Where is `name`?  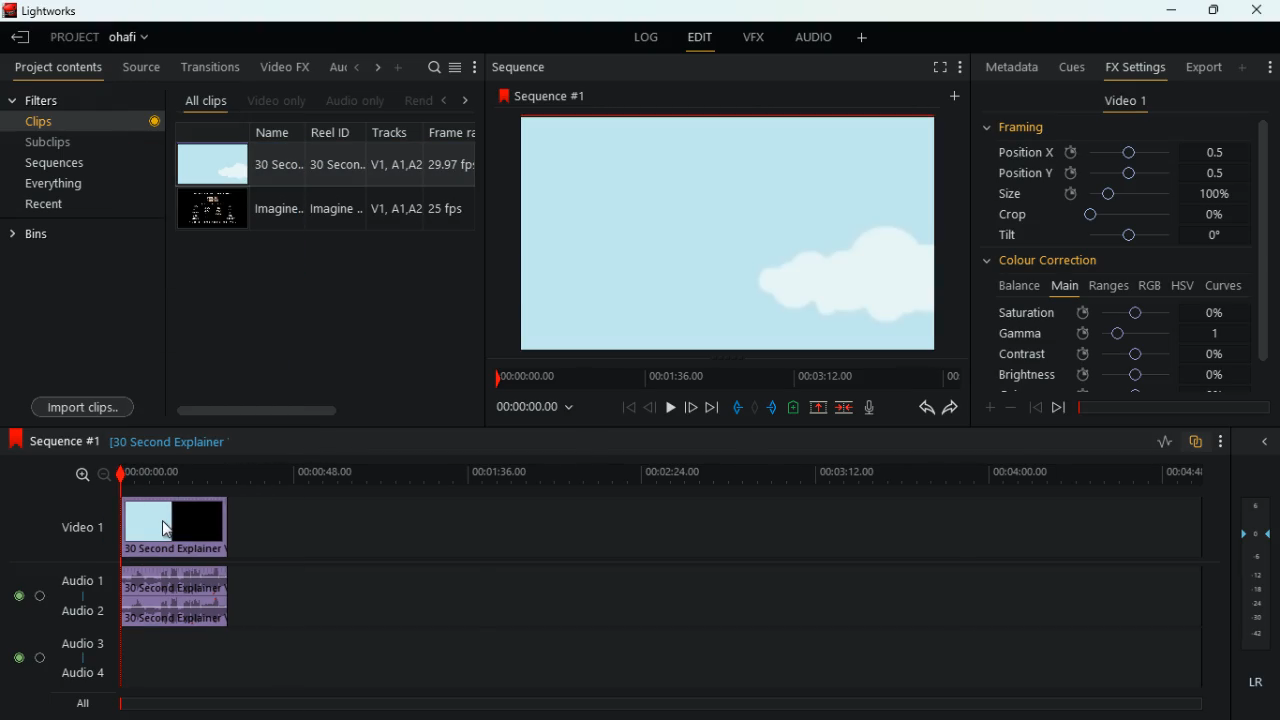
name is located at coordinates (276, 177).